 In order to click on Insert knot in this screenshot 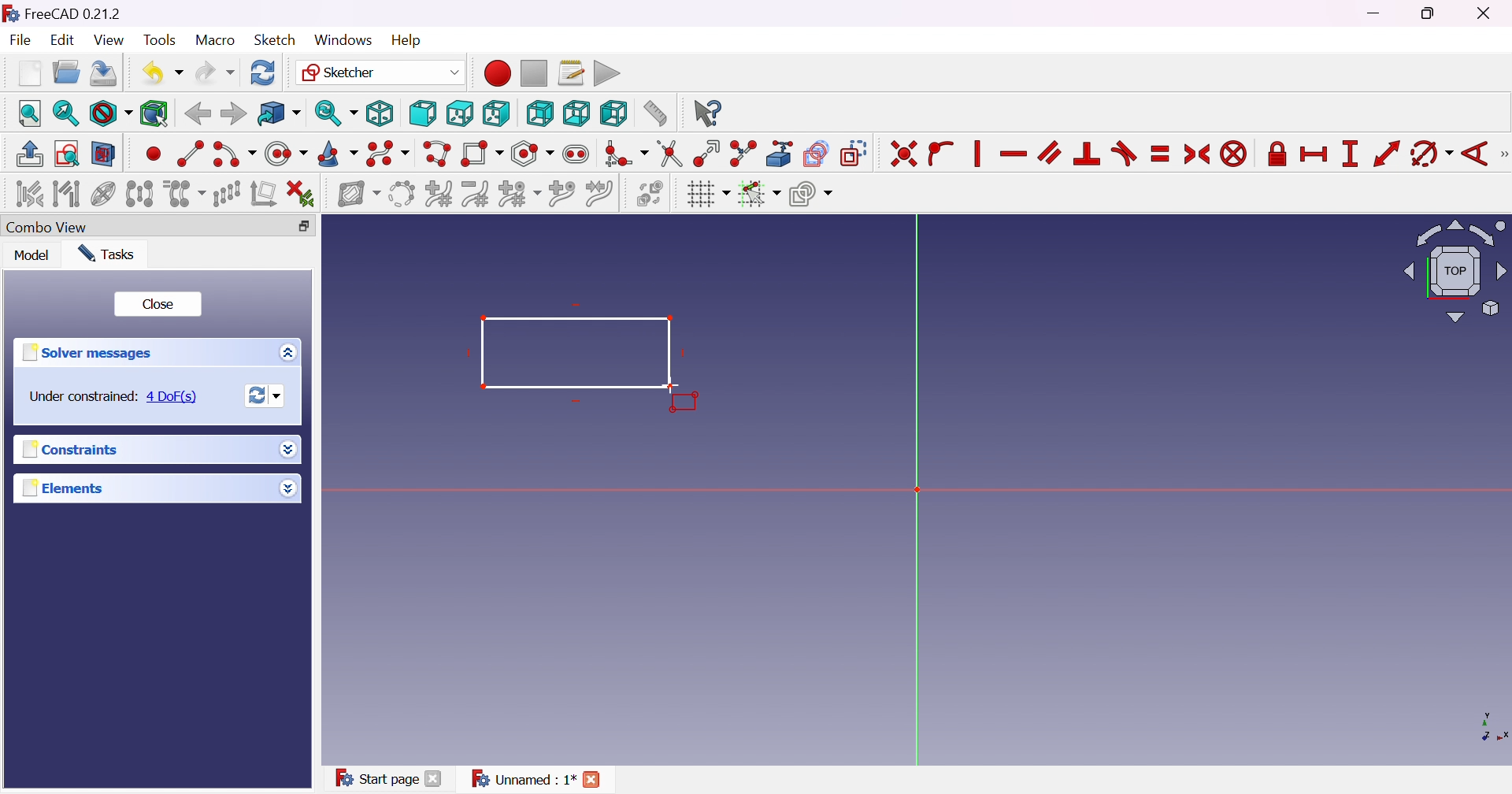, I will do `click(561, 193)`.